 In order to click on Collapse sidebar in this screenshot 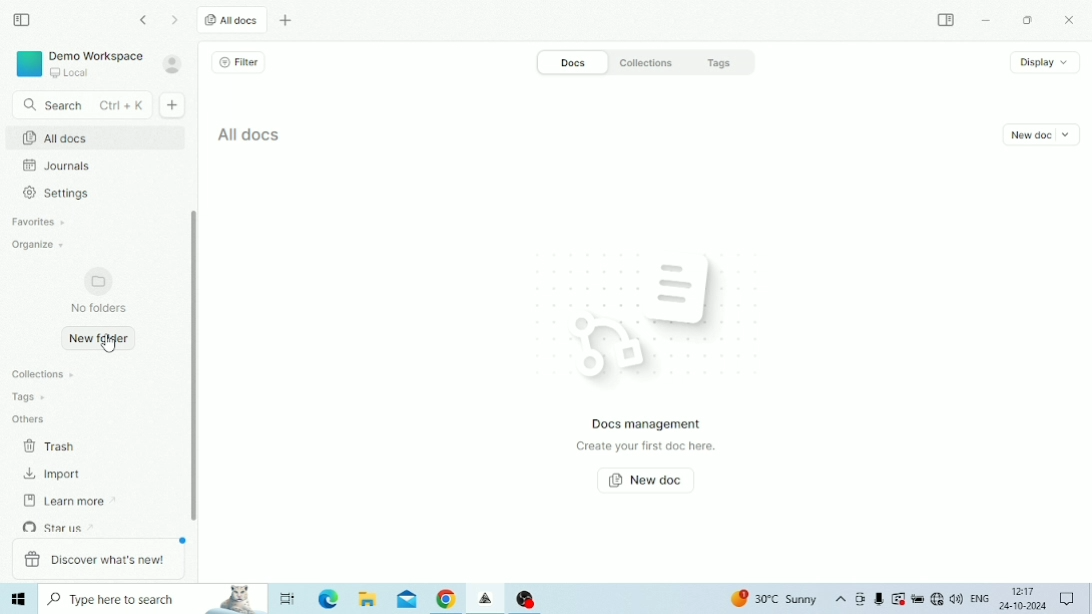, I will do `click(23, 20)`.